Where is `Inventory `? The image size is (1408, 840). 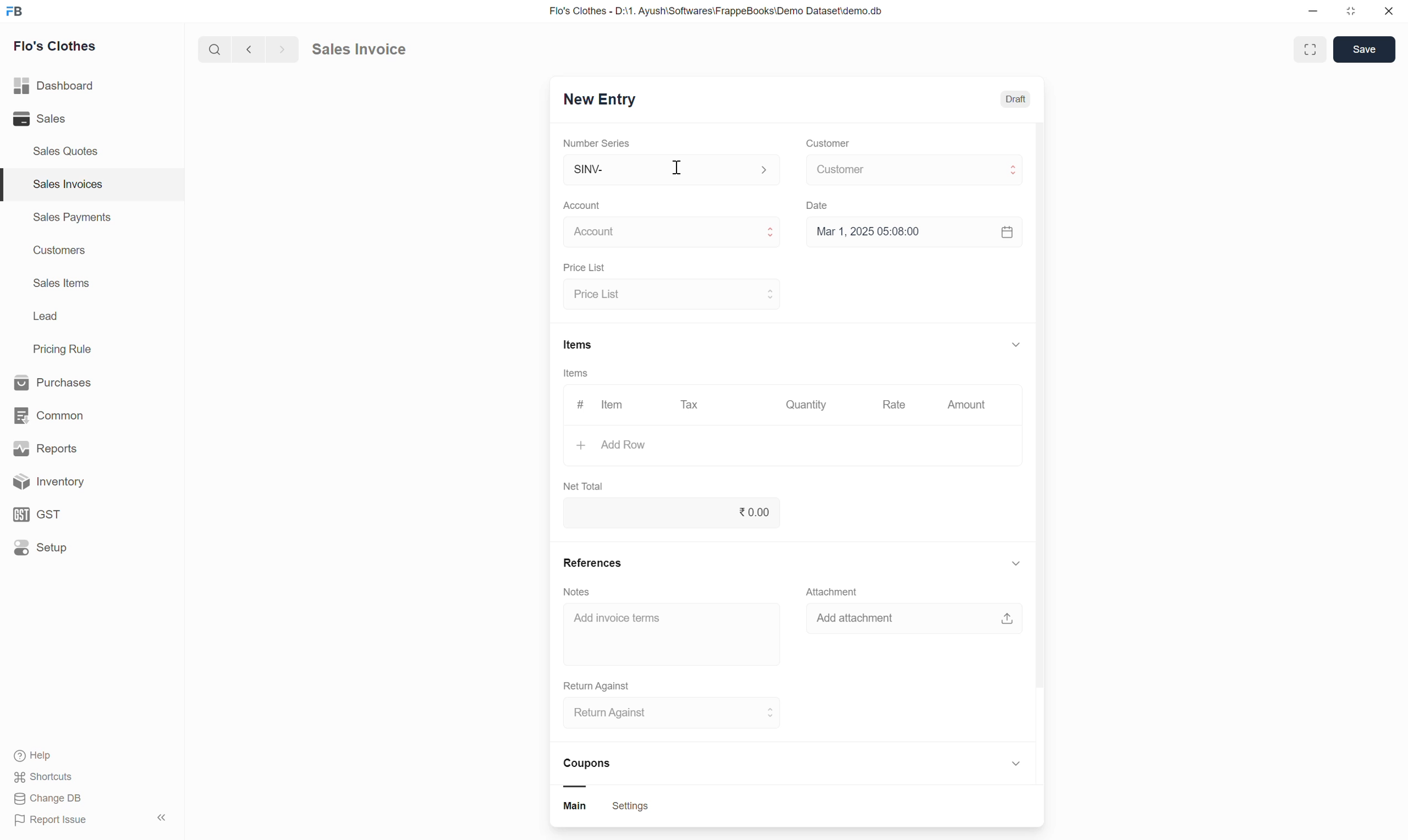 Inventory  is located at coordinates (85, 482).